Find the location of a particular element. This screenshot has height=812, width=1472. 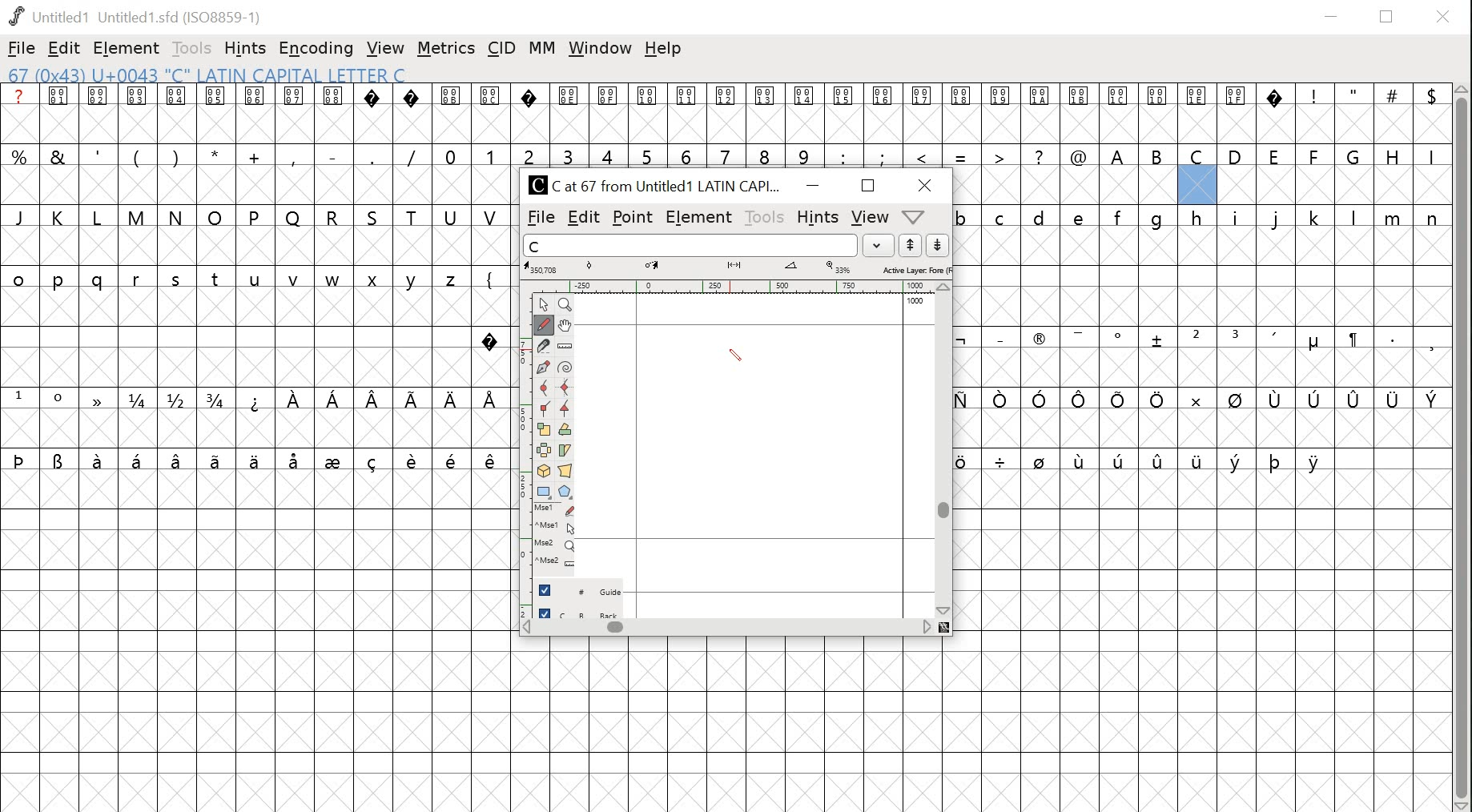

mouse wheel is located at coordinates (557, 547).